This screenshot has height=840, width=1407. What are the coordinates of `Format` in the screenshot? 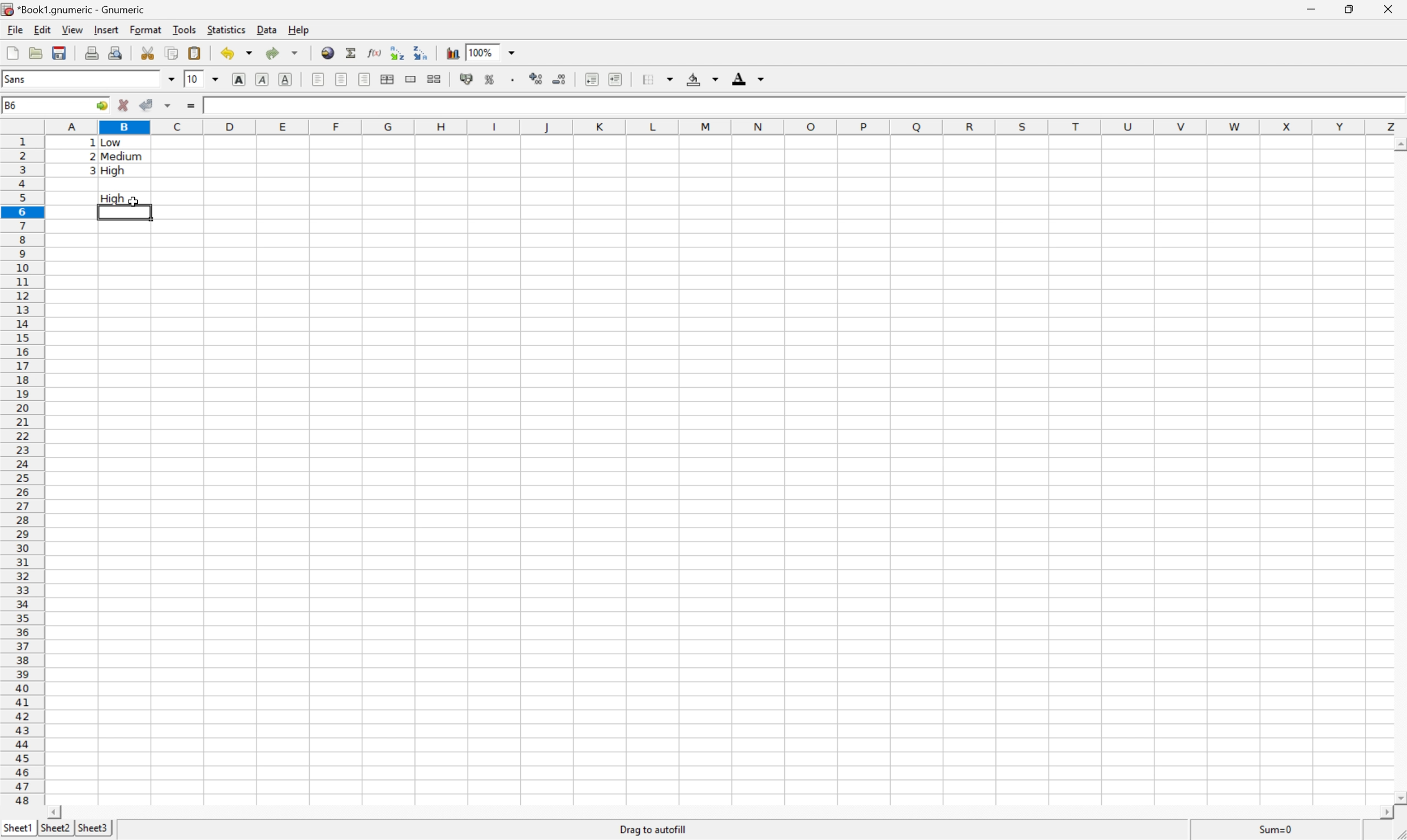 It's located at (146, 29).